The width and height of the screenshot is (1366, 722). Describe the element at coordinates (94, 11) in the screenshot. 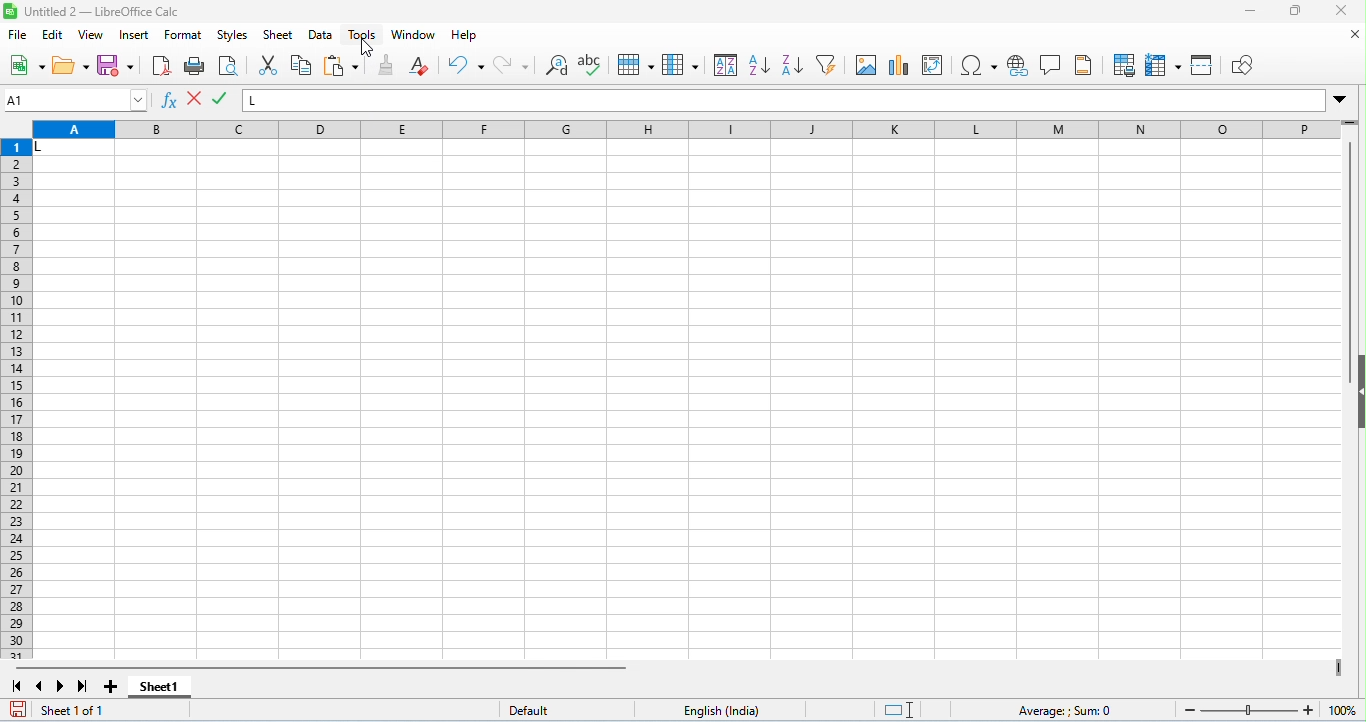

I see `untitled 2- libreoffice calc` at that location.